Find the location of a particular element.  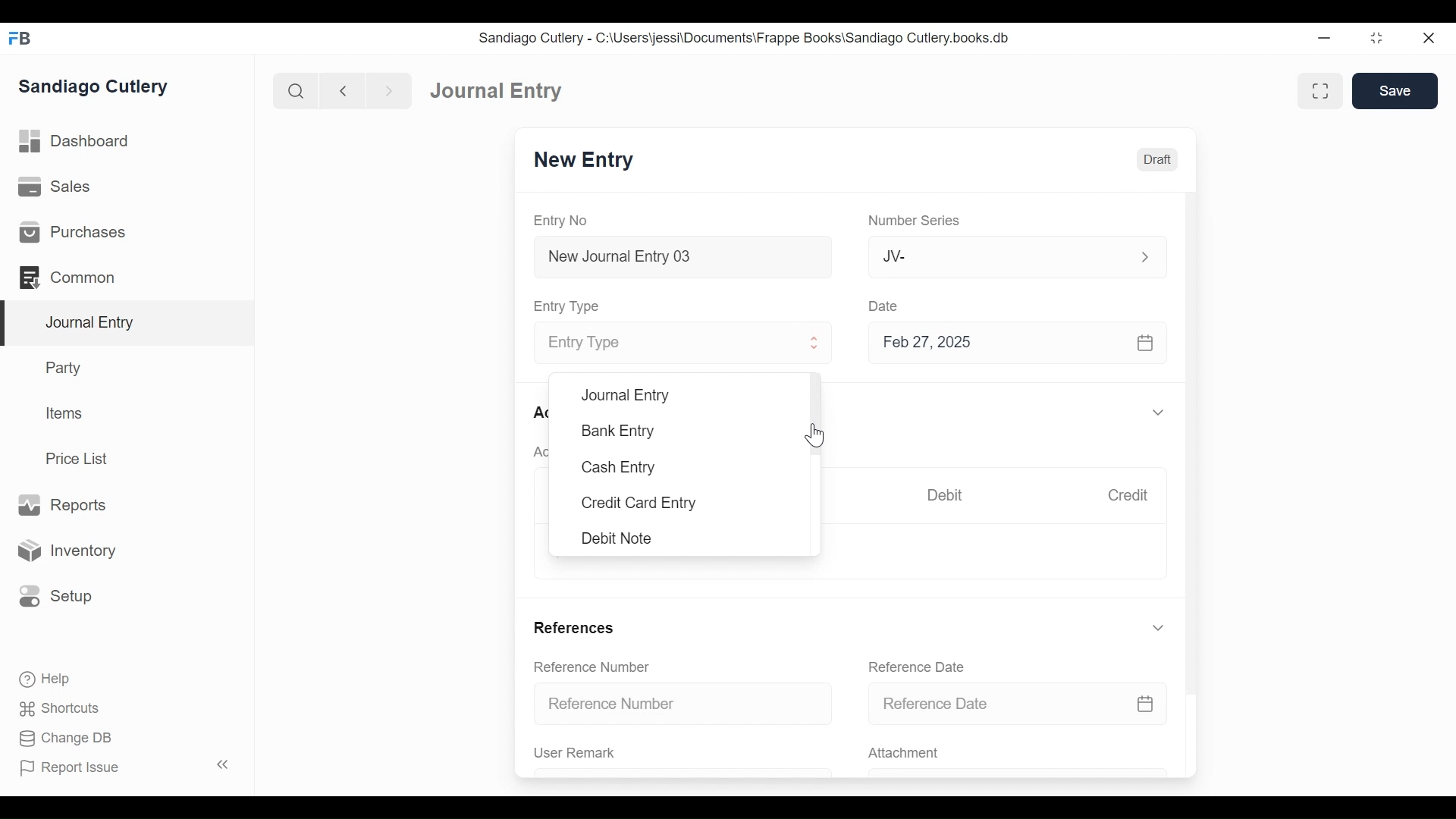

References is located at coordinates (576, 629).